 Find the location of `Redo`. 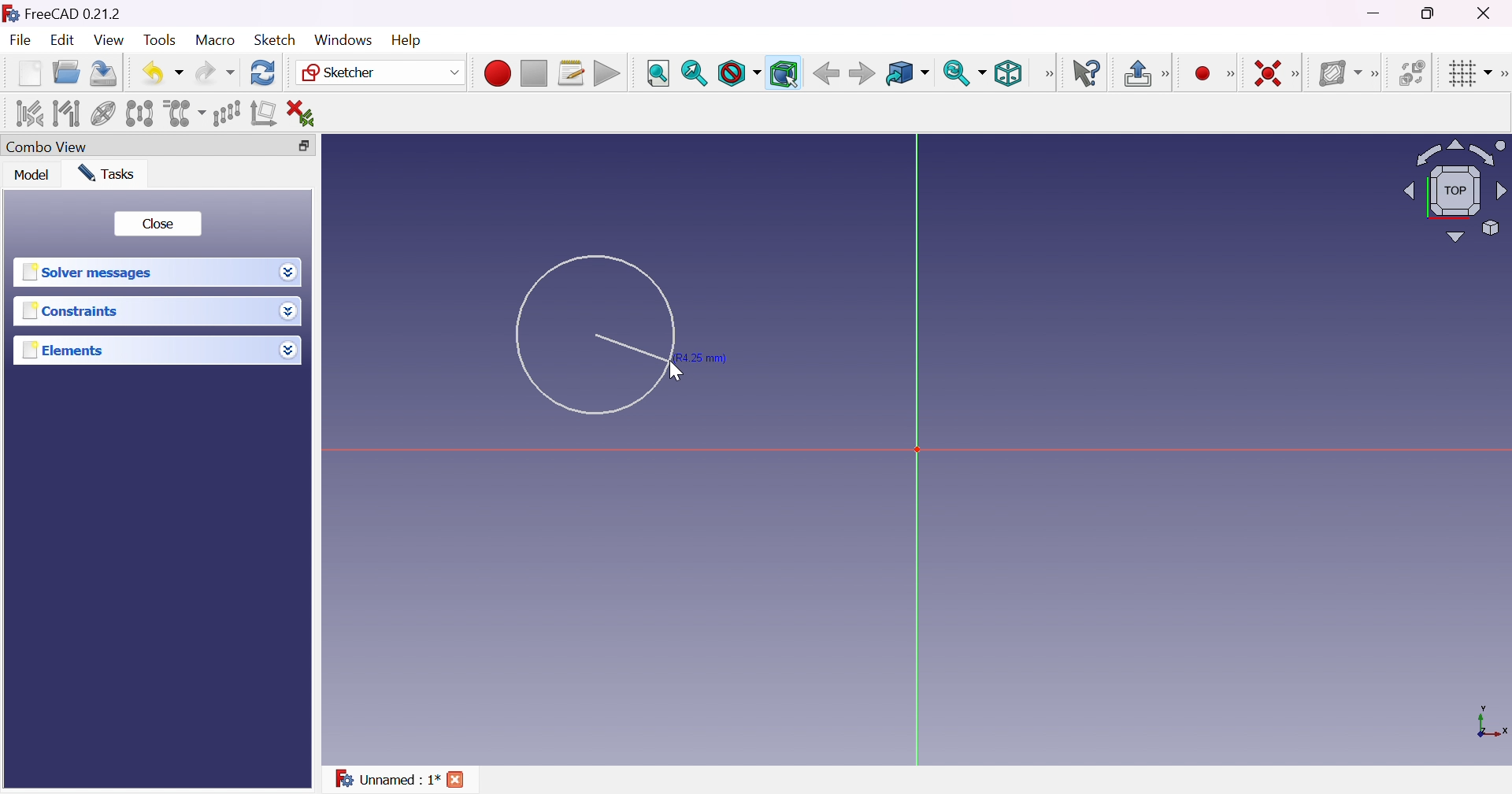

Redo is located at coordinates (215, 72).